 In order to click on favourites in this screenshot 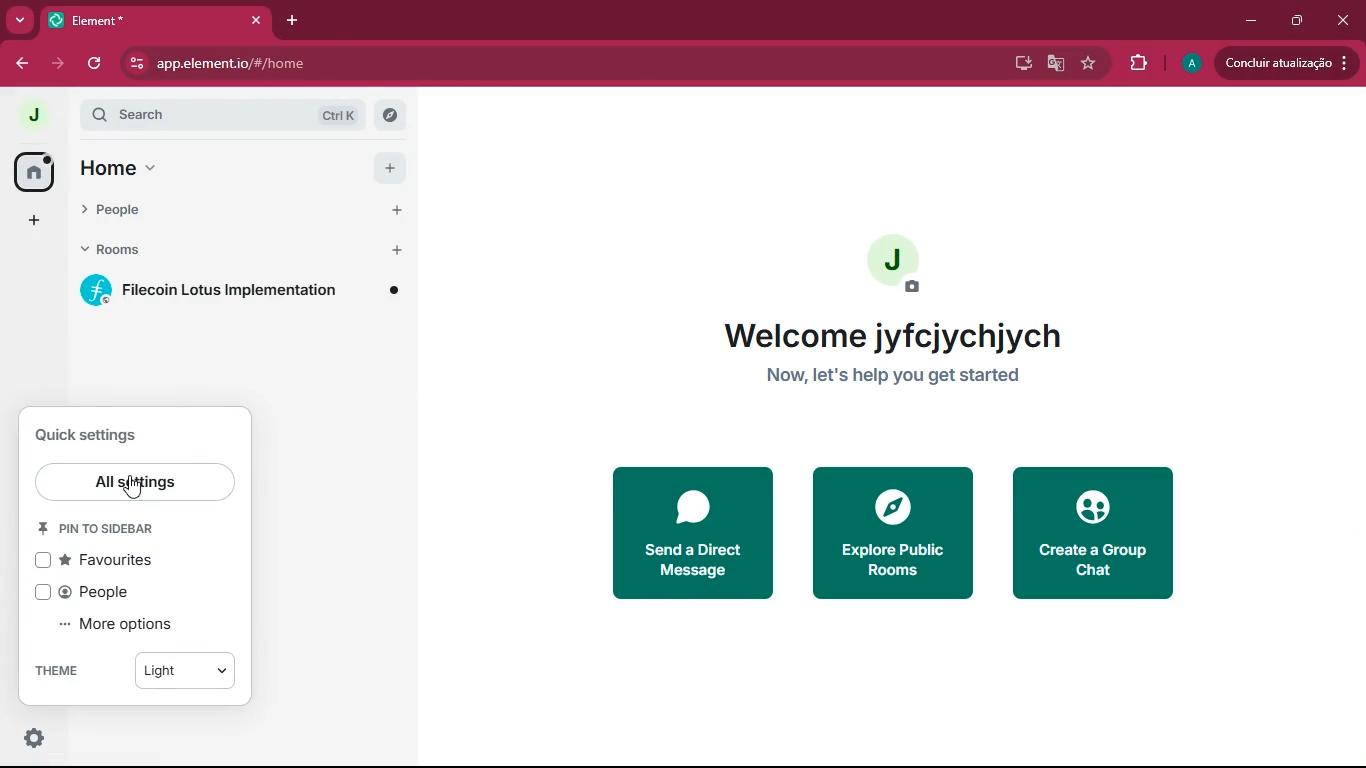, I will do `click(108, 558)`.